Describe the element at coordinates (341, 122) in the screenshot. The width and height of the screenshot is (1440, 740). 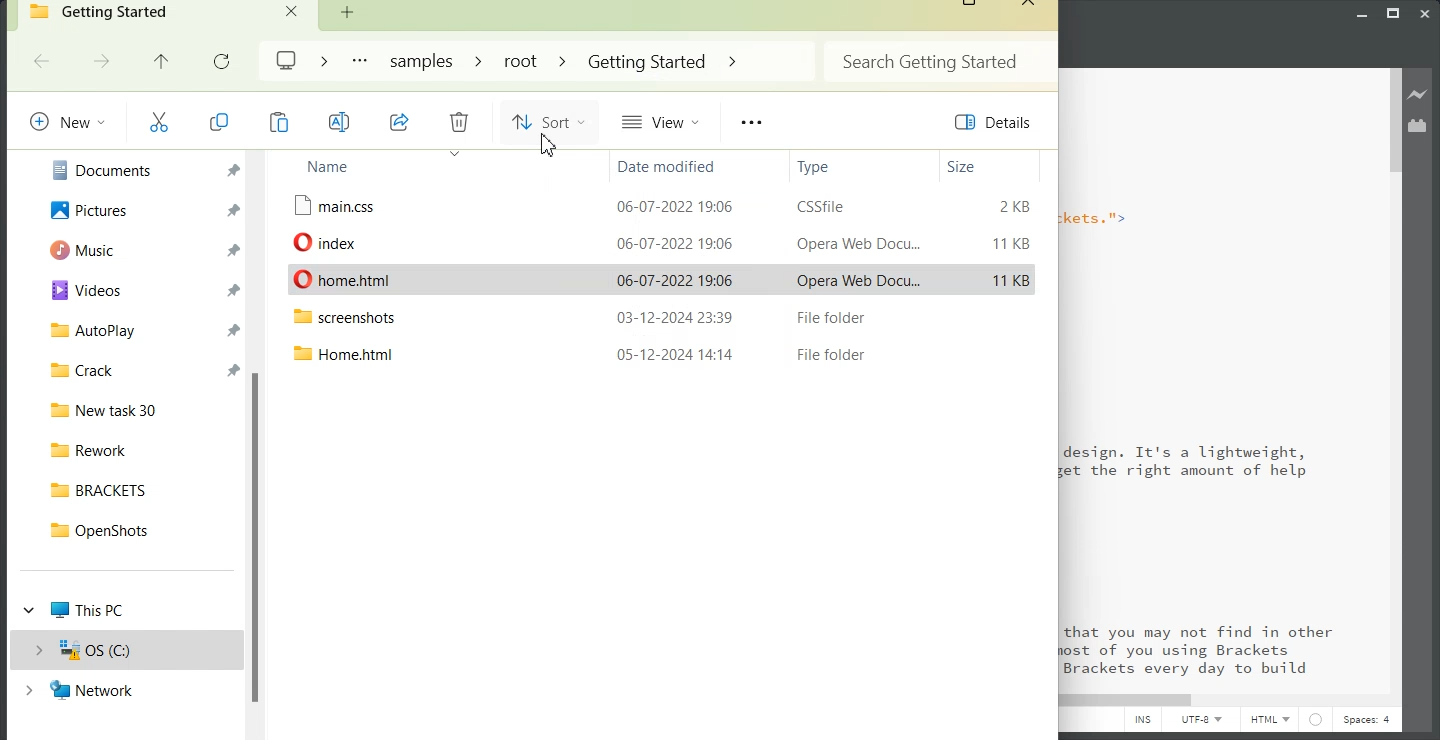
I see `Rename` at that location.